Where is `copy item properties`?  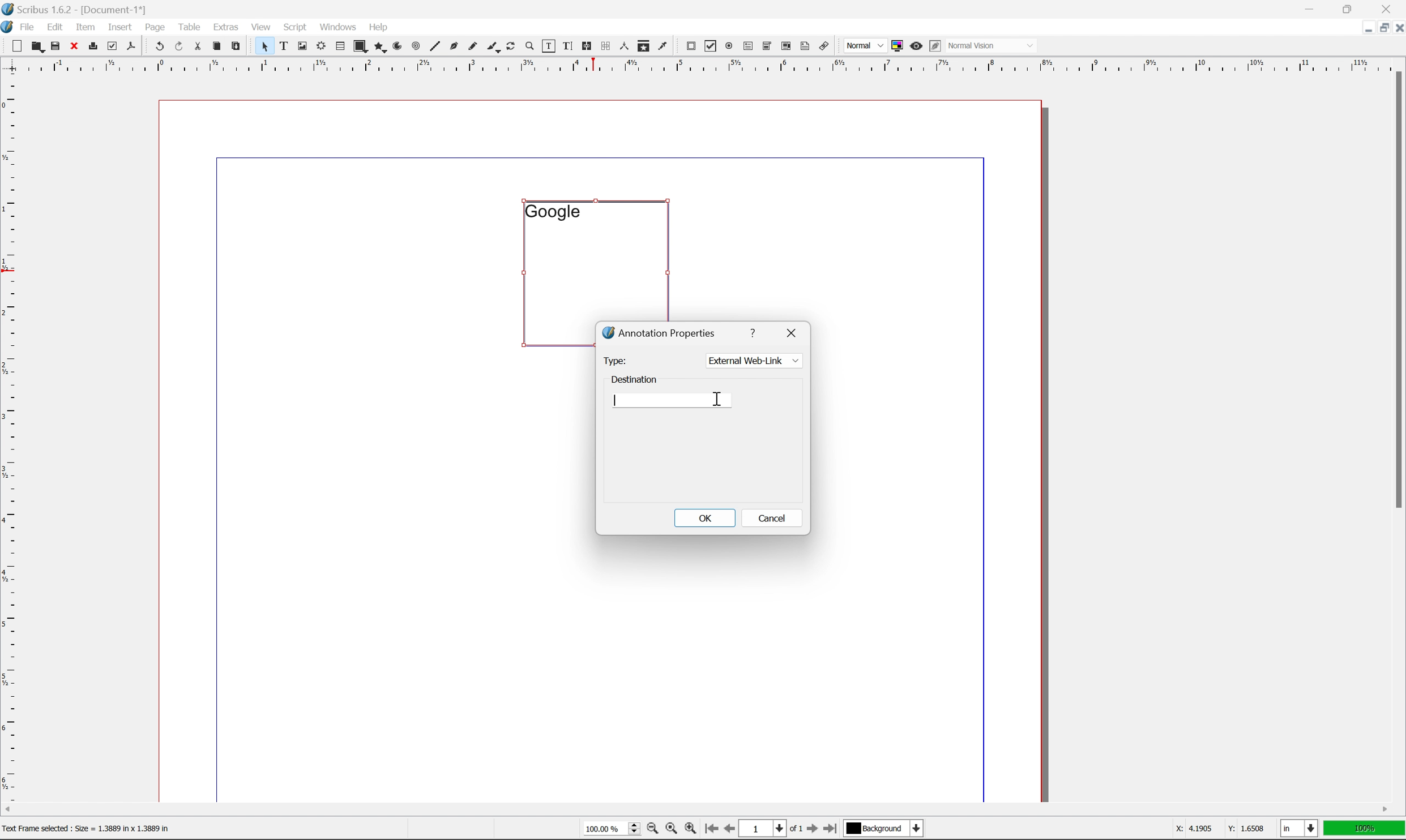
copy item properties is located at coordinates (644, 46).